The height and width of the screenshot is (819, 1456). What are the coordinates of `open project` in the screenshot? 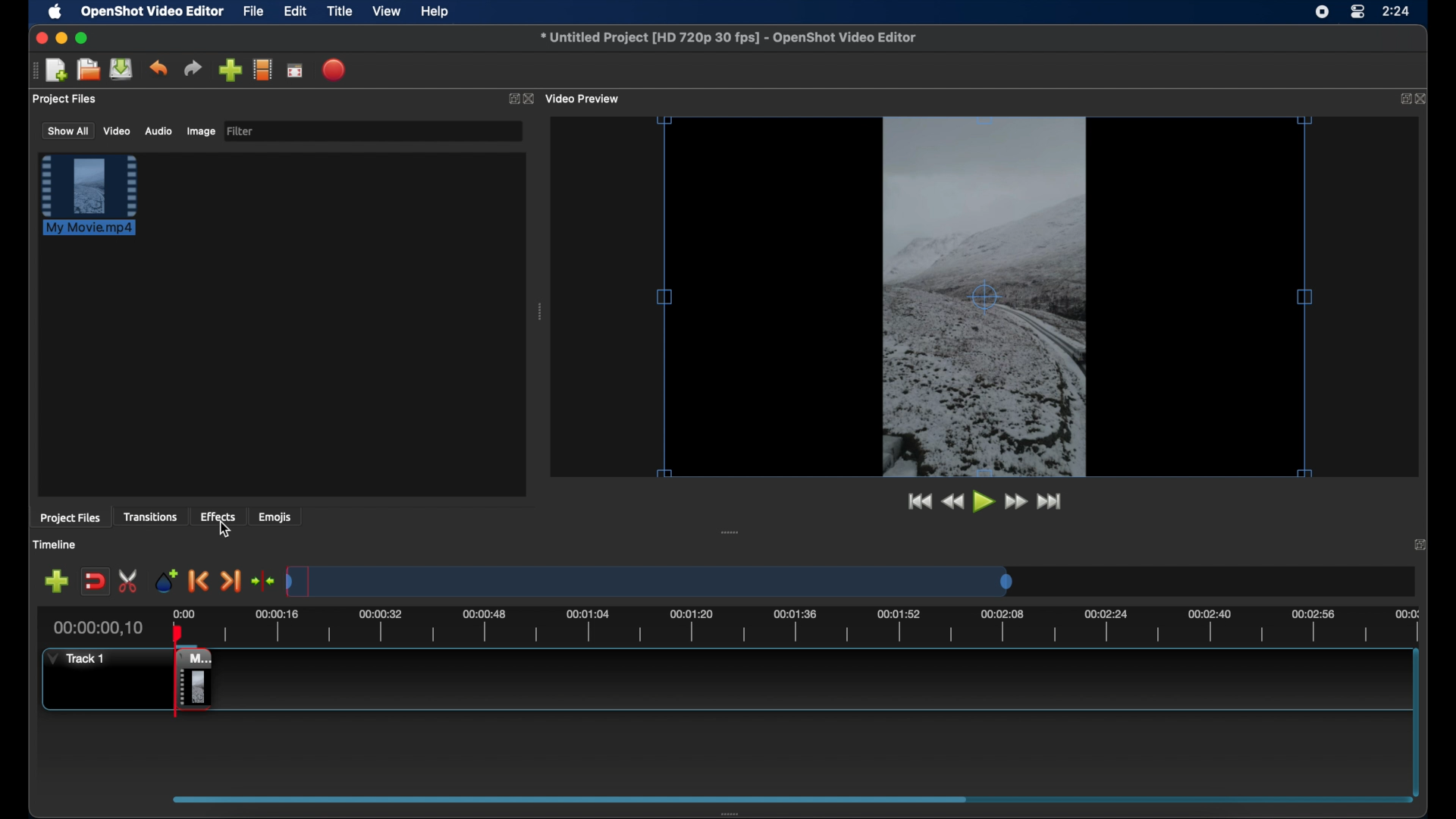 It's located at (88, 70).